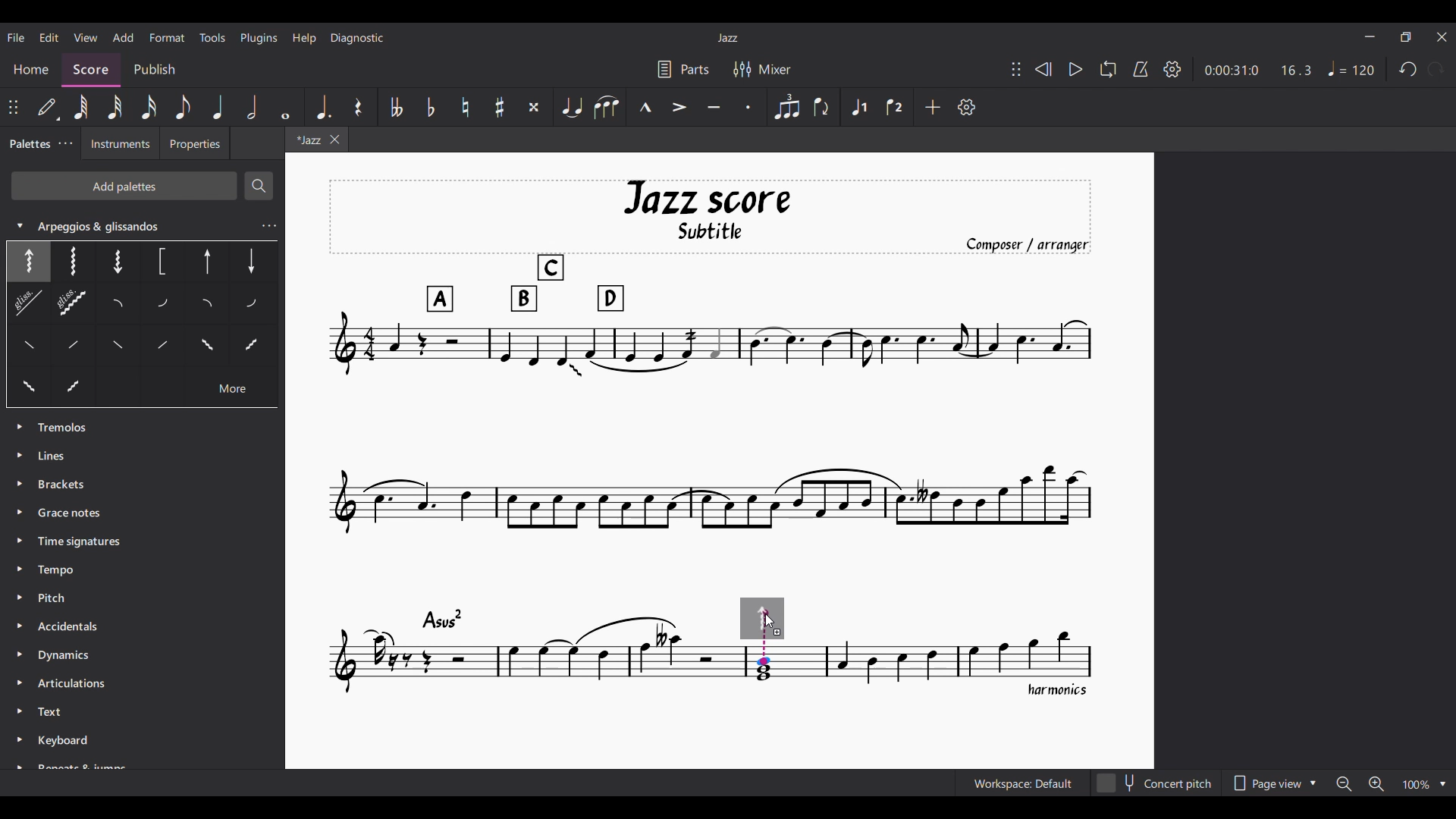 The width and height of the screenshot is (1456, 819). What do you see at coordinates (59, 598) in the screenshot?
I see `Pitch` at bounding box center [59, 598].